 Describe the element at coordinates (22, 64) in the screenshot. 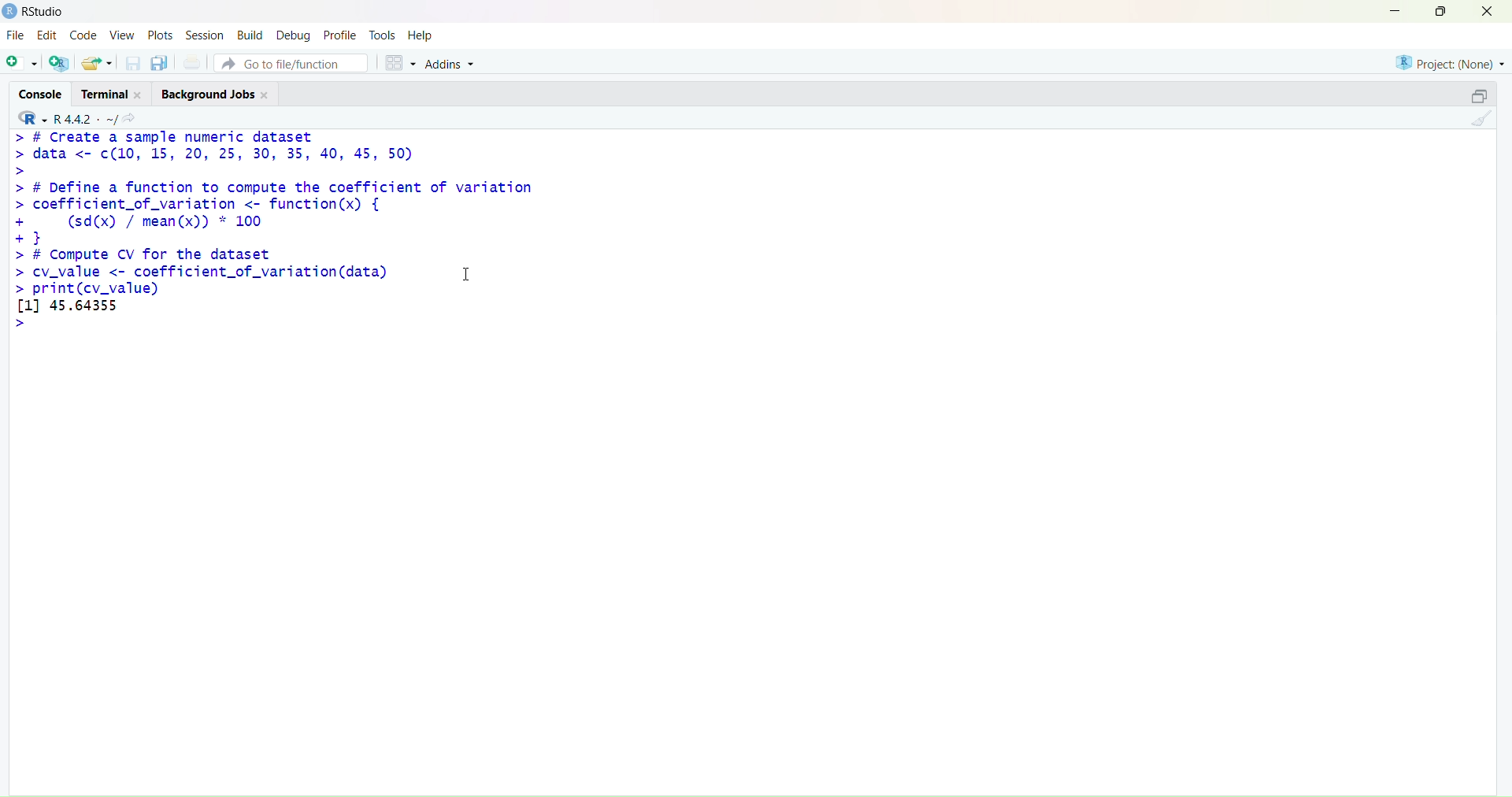

I see `add file as` at that location.